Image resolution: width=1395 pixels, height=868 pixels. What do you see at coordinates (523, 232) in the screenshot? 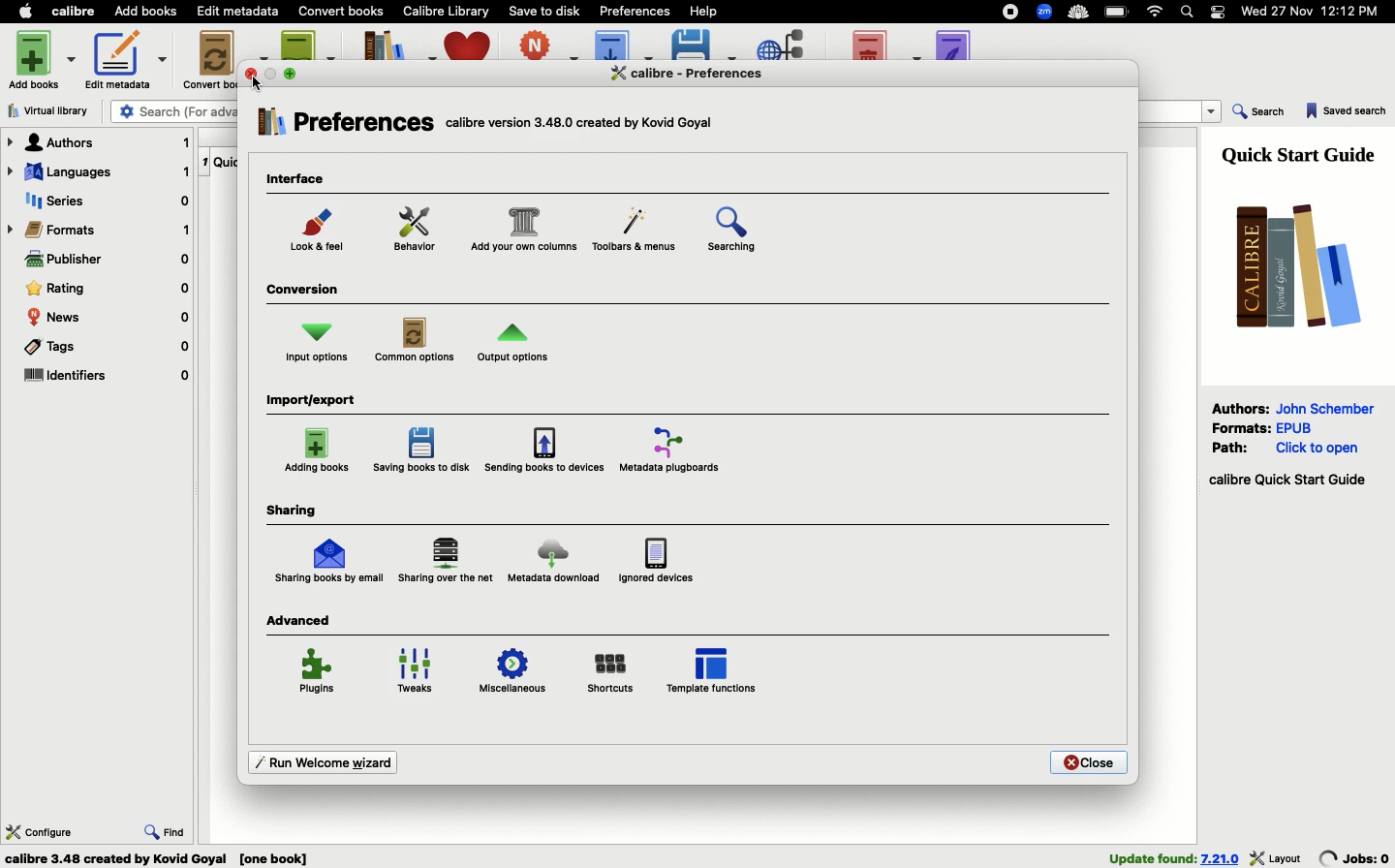
I see `Customize columns` at bounding box center [523, 232].